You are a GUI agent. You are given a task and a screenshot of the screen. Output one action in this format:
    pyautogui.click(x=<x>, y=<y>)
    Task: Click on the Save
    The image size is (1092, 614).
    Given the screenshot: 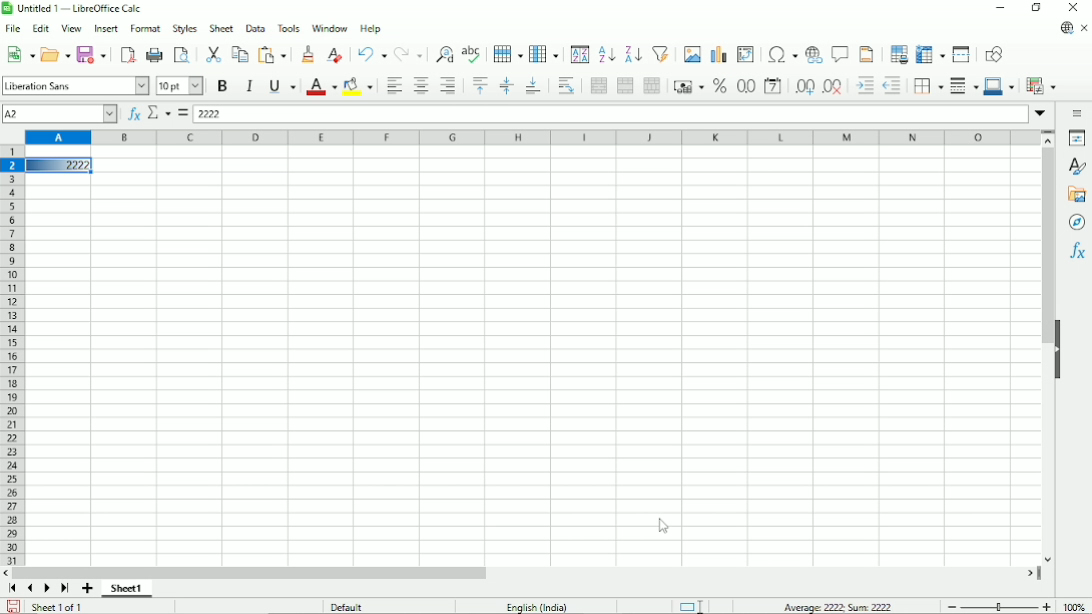 What is the action you would take?
    pyautogui.click(x=92, y=54)
    